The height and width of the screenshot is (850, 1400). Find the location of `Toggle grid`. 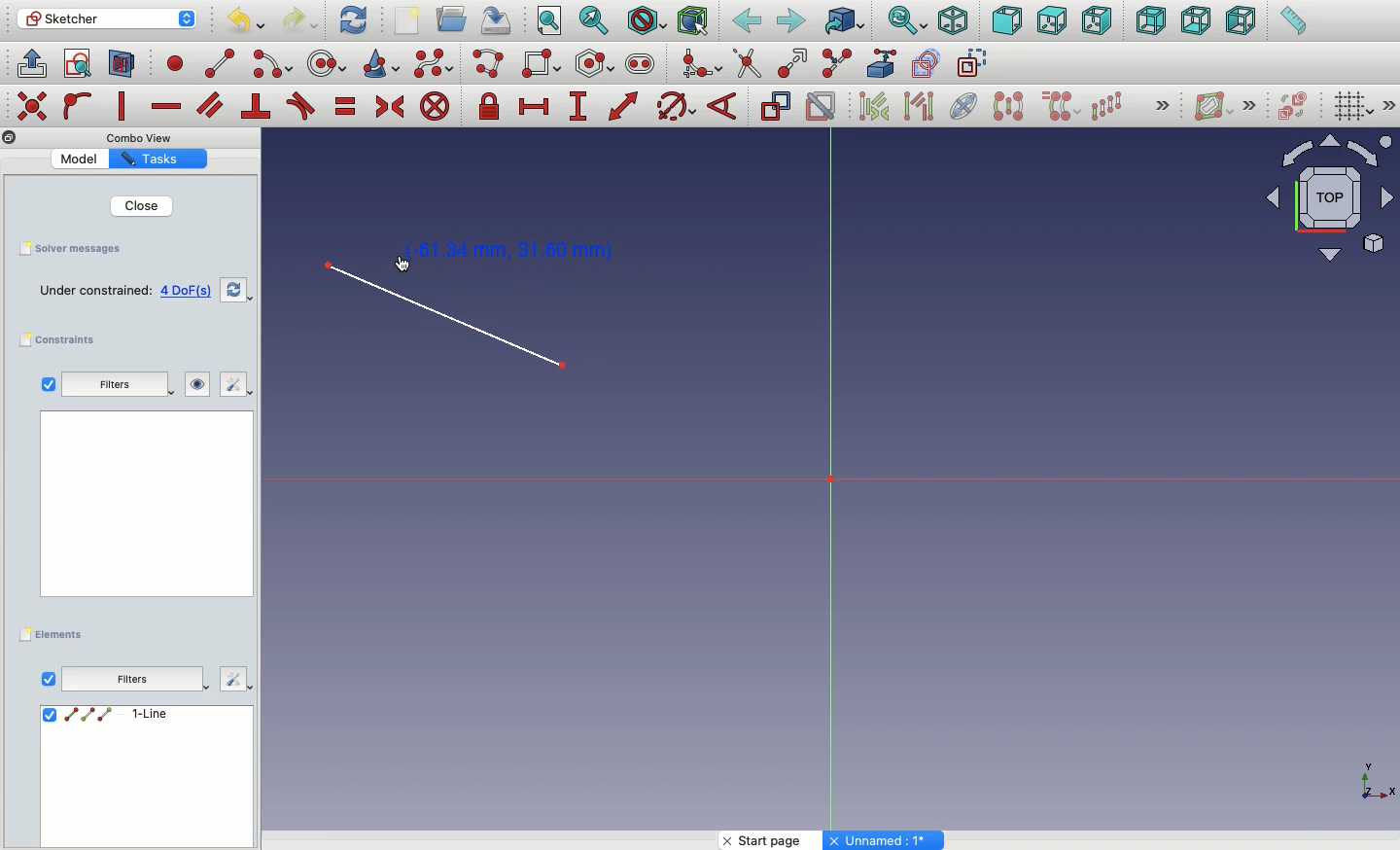

Toggle grid is located at coordinates (1354, 108).